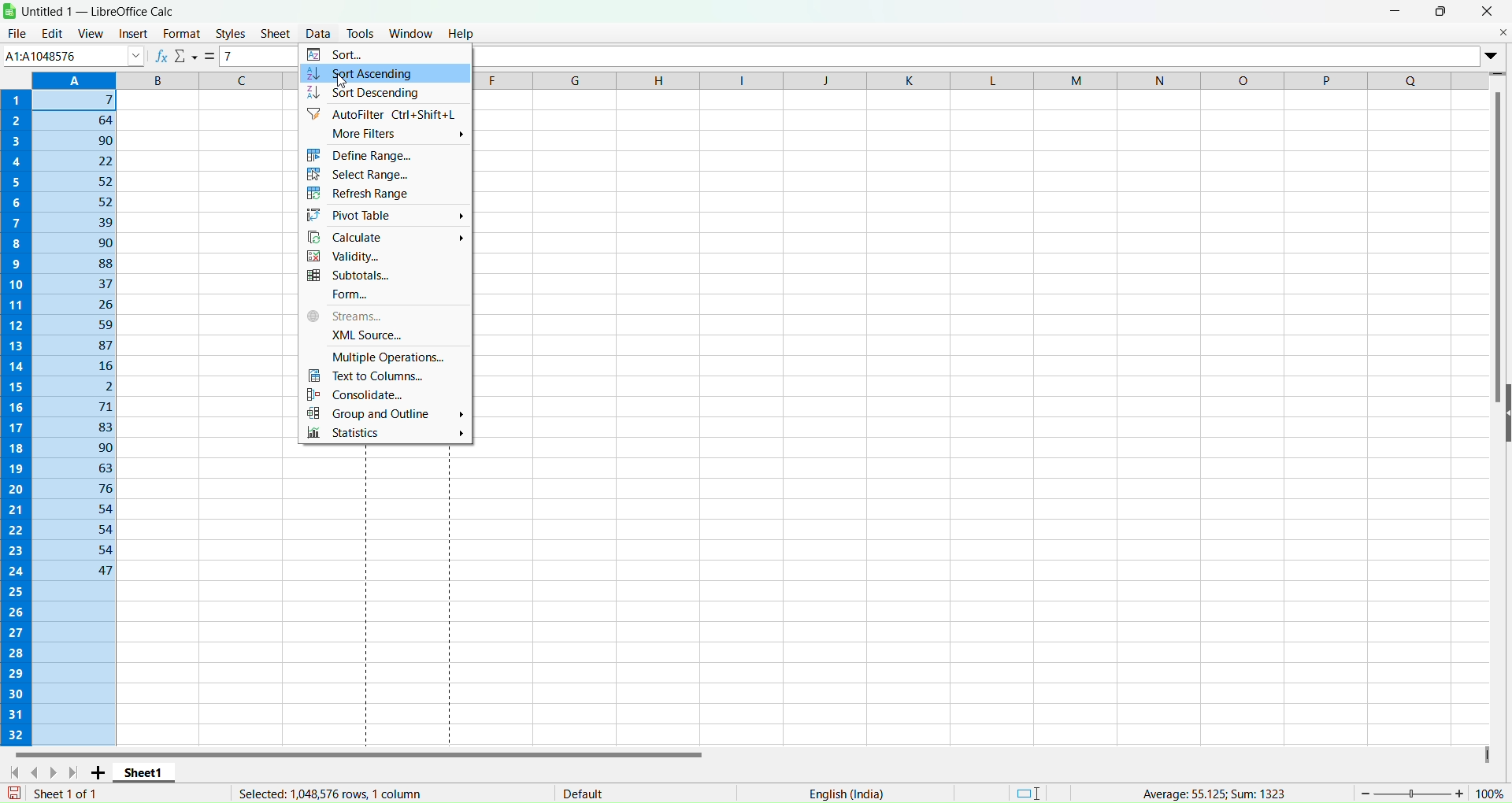 This screenshot has width=1512, height=803. Describe the element at coordinates (17, 33) in the screenshot. I see `File` at that location.